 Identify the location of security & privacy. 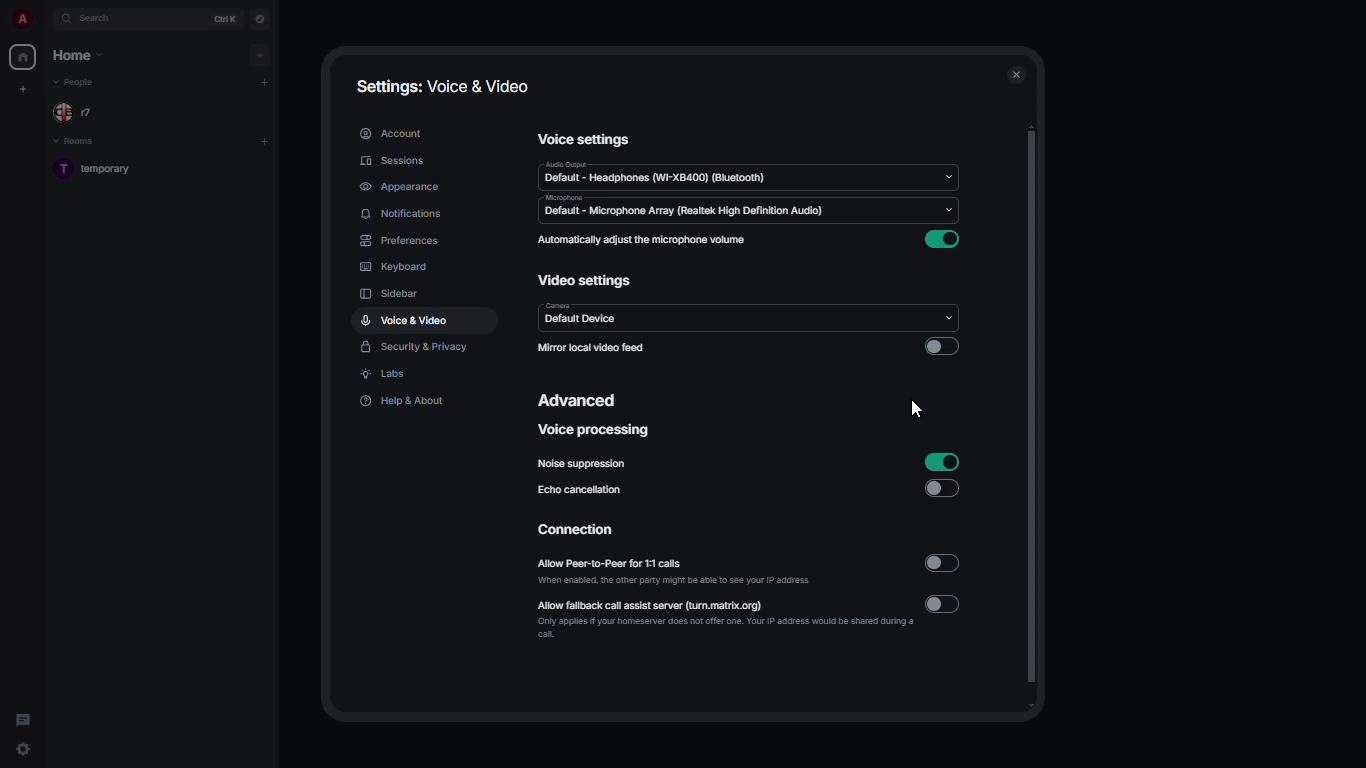
(415, 349).